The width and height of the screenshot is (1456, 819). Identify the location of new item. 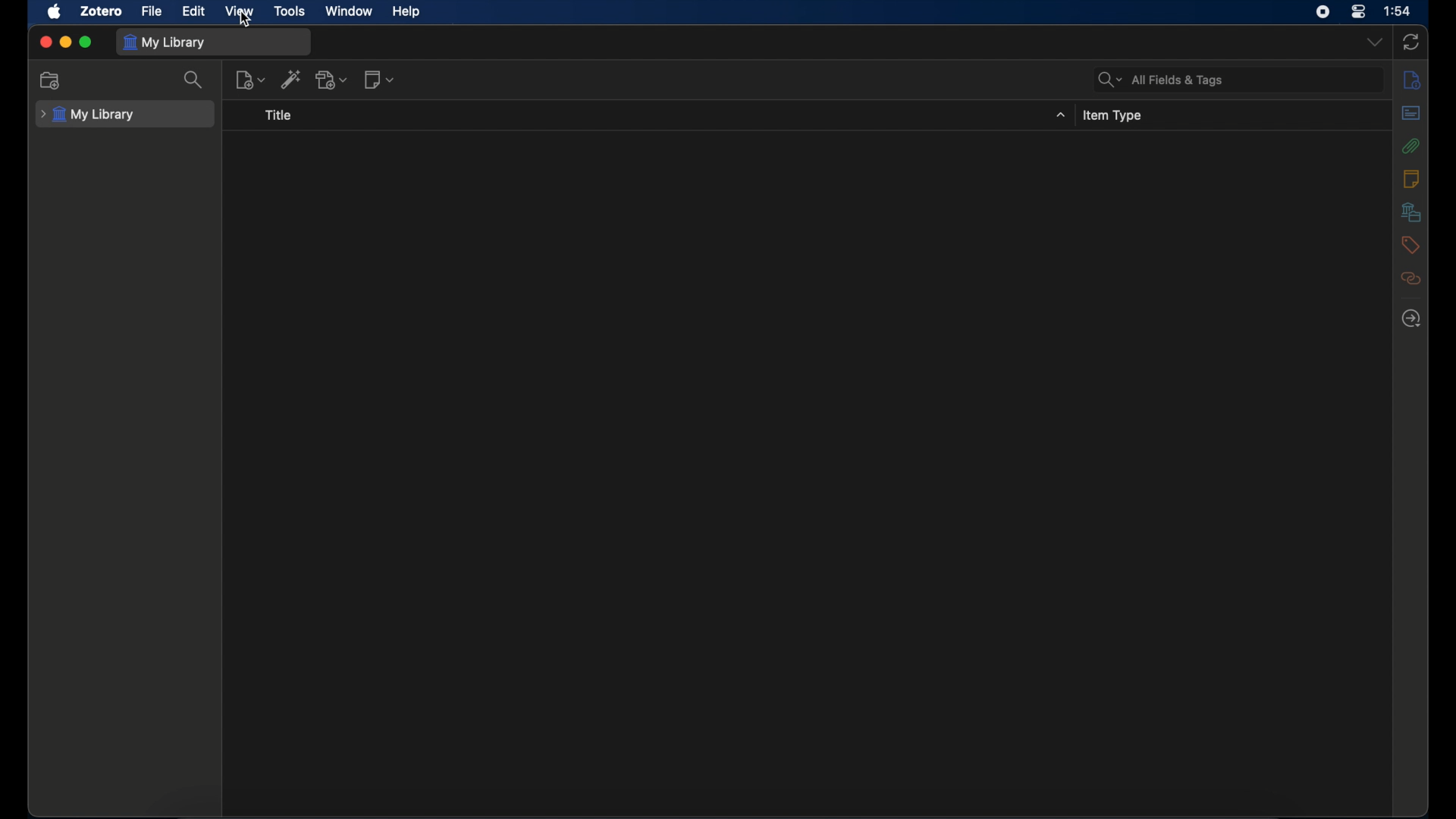
(250, 79).